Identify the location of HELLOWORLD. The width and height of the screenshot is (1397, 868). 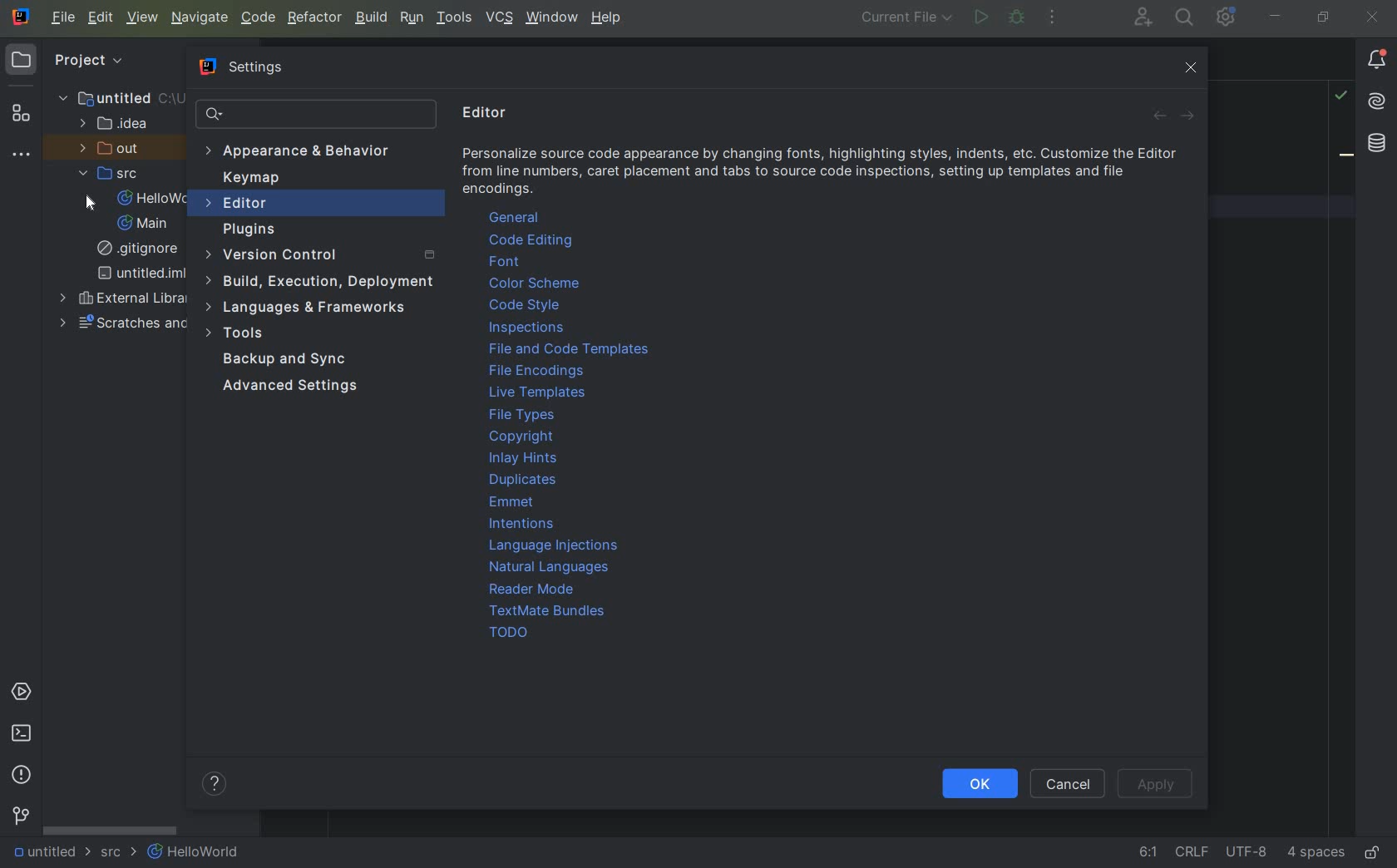
(146, 197).